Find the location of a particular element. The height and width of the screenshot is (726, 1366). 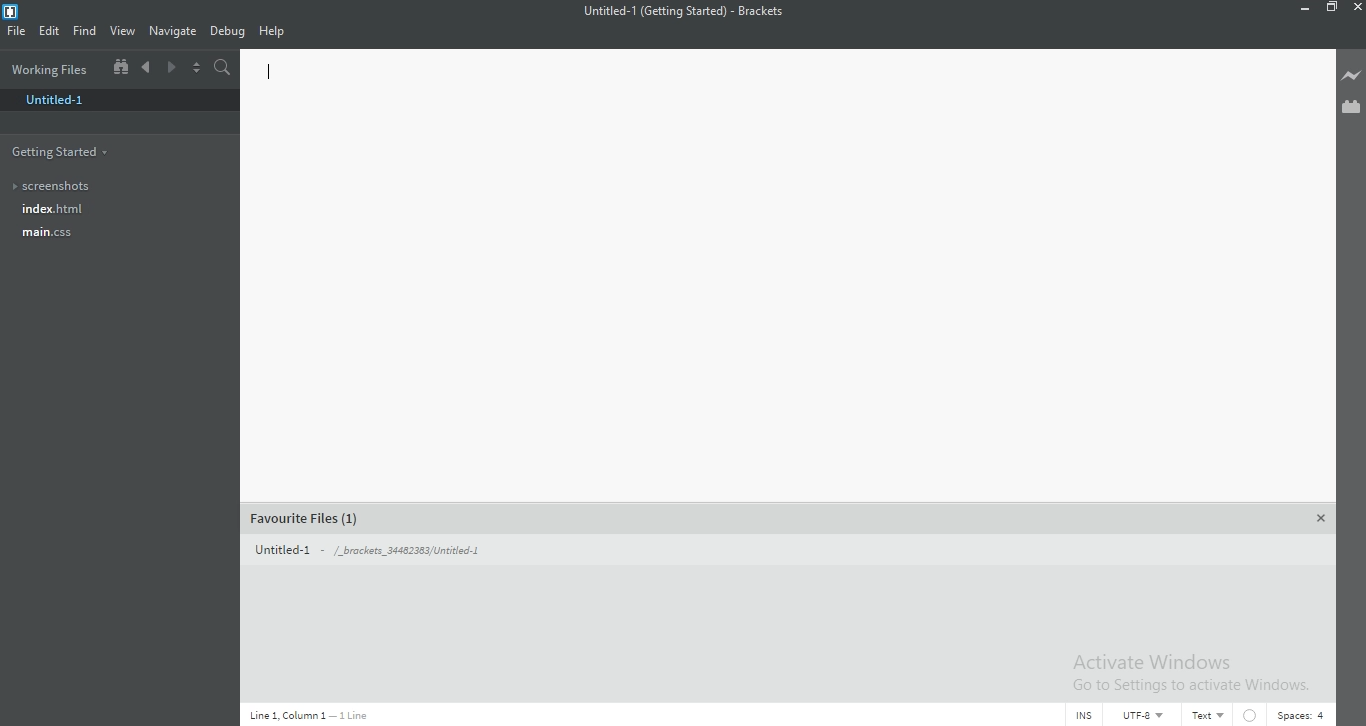

Navigate is located at coordinates (173, 33).